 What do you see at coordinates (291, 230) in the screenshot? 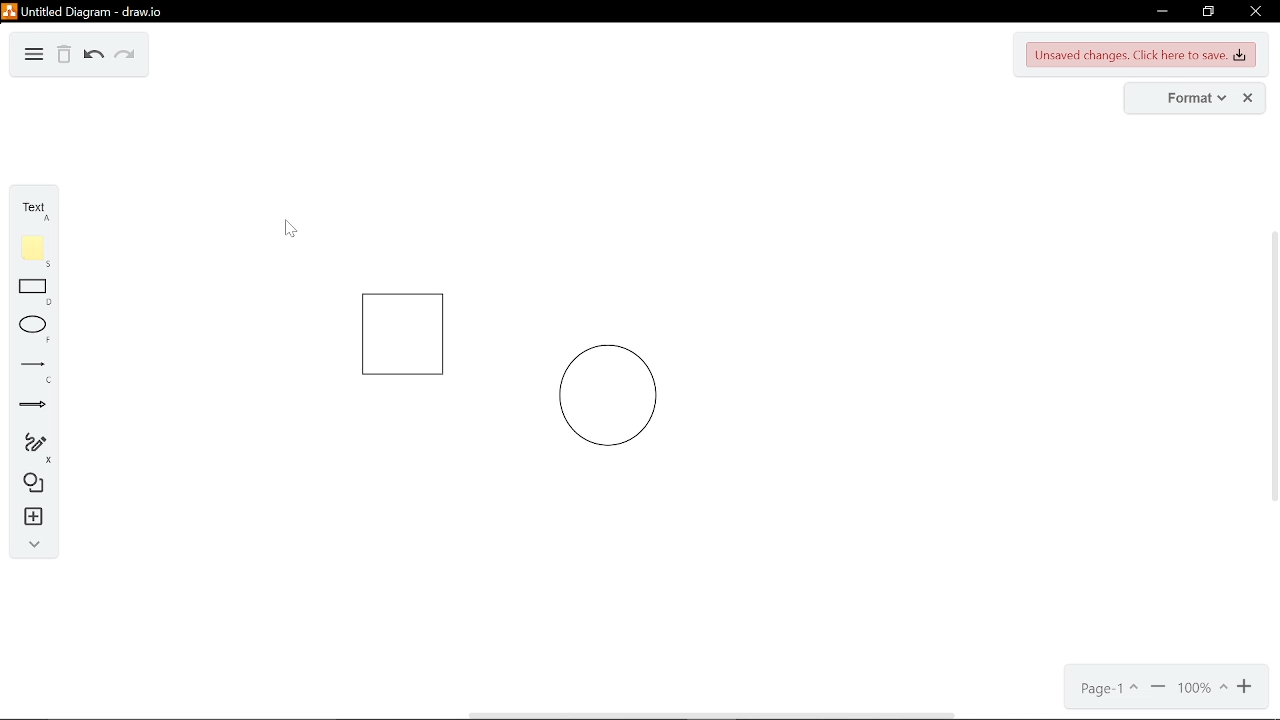
I see `cursor` at bounding box center [291, 230].